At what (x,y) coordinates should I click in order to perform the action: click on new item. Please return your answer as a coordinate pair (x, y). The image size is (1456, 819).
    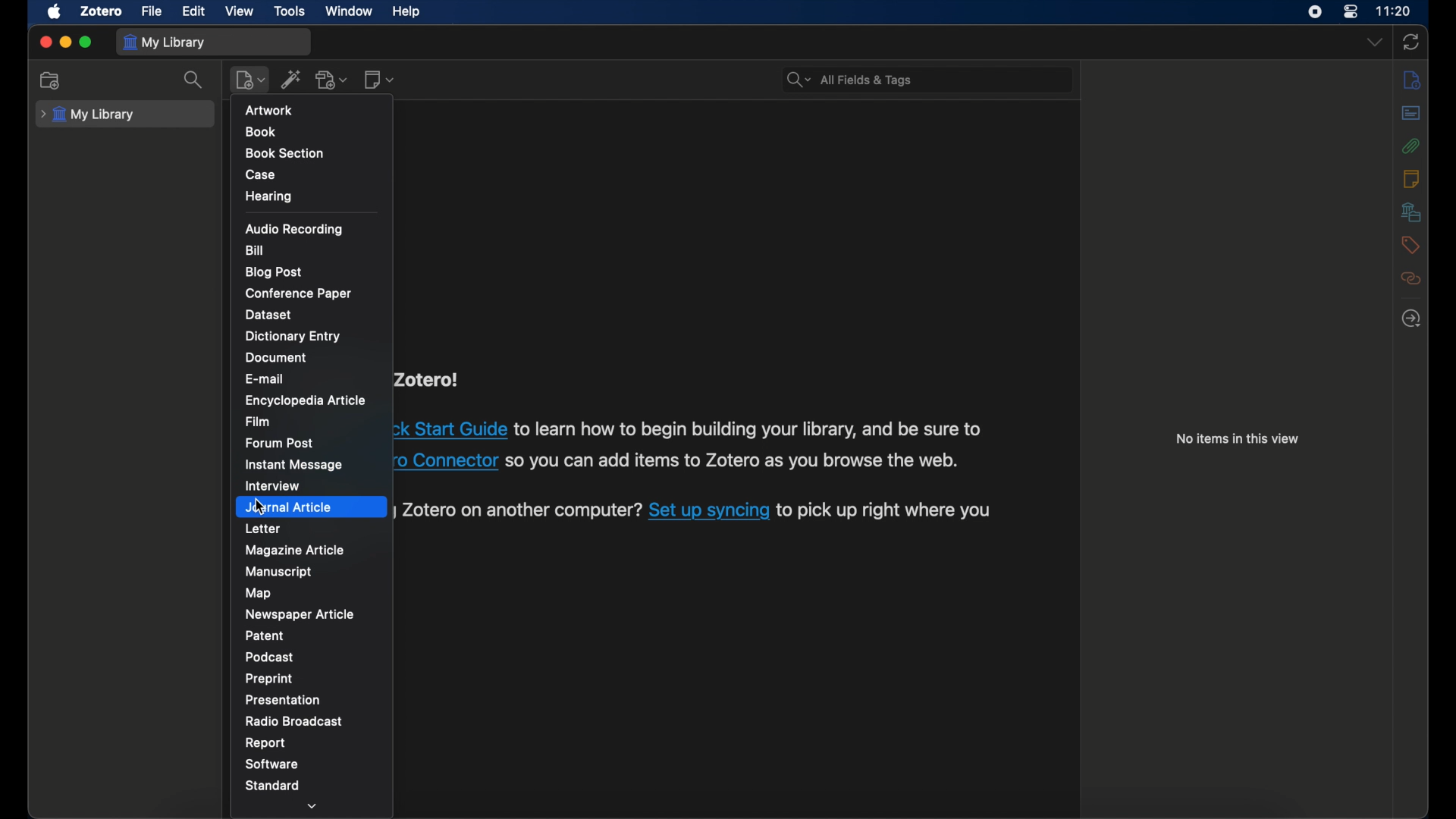
    Looking at the image, I should click on (249, 80).